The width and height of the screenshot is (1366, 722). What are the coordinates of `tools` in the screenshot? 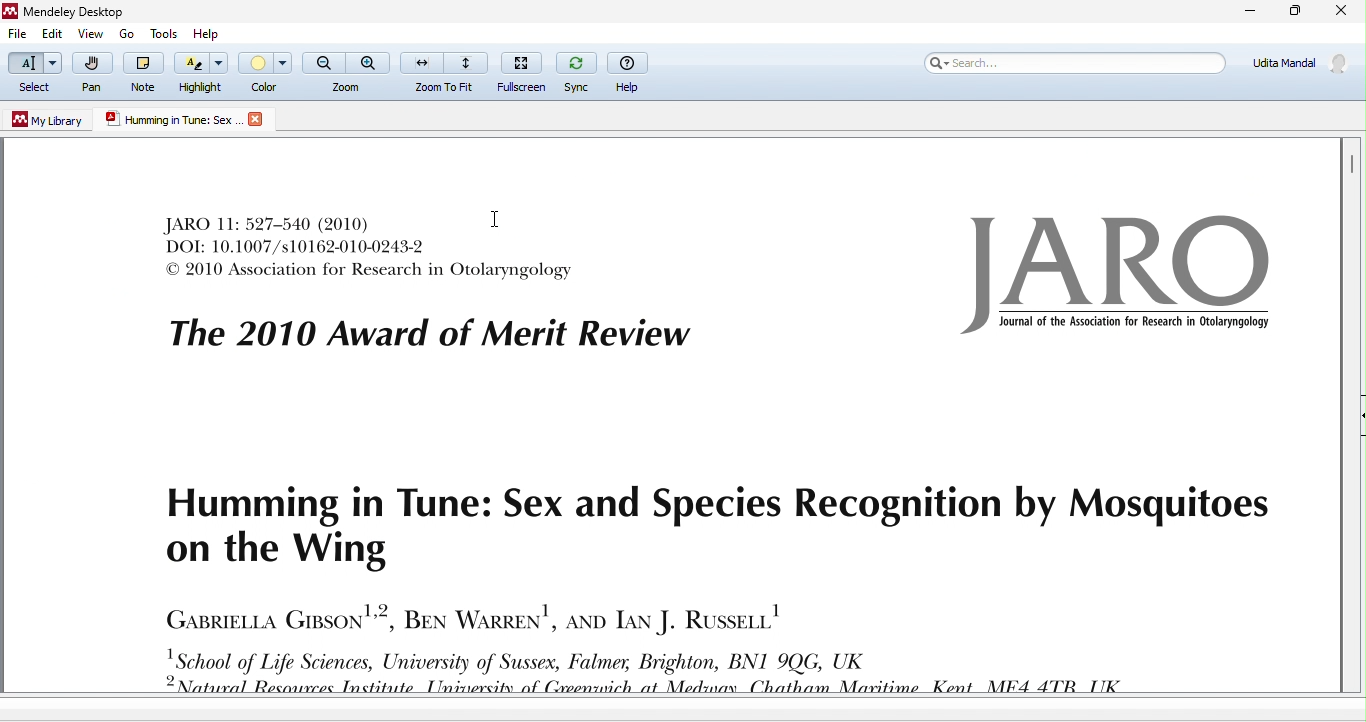 It's located at (162, 32).